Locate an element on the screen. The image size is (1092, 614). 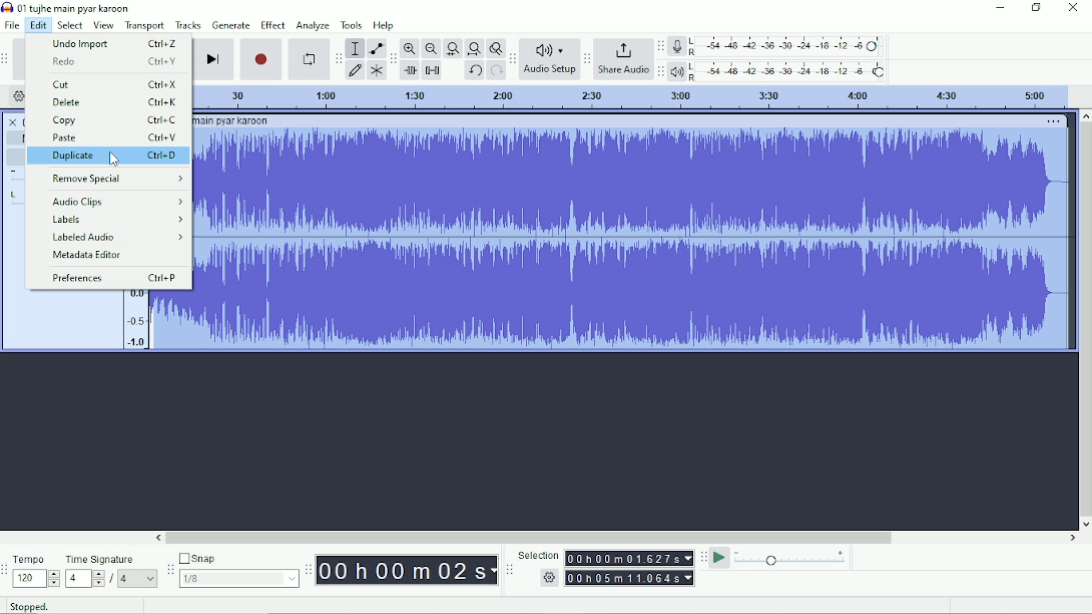
Labels is located at coordinates (116, 220).